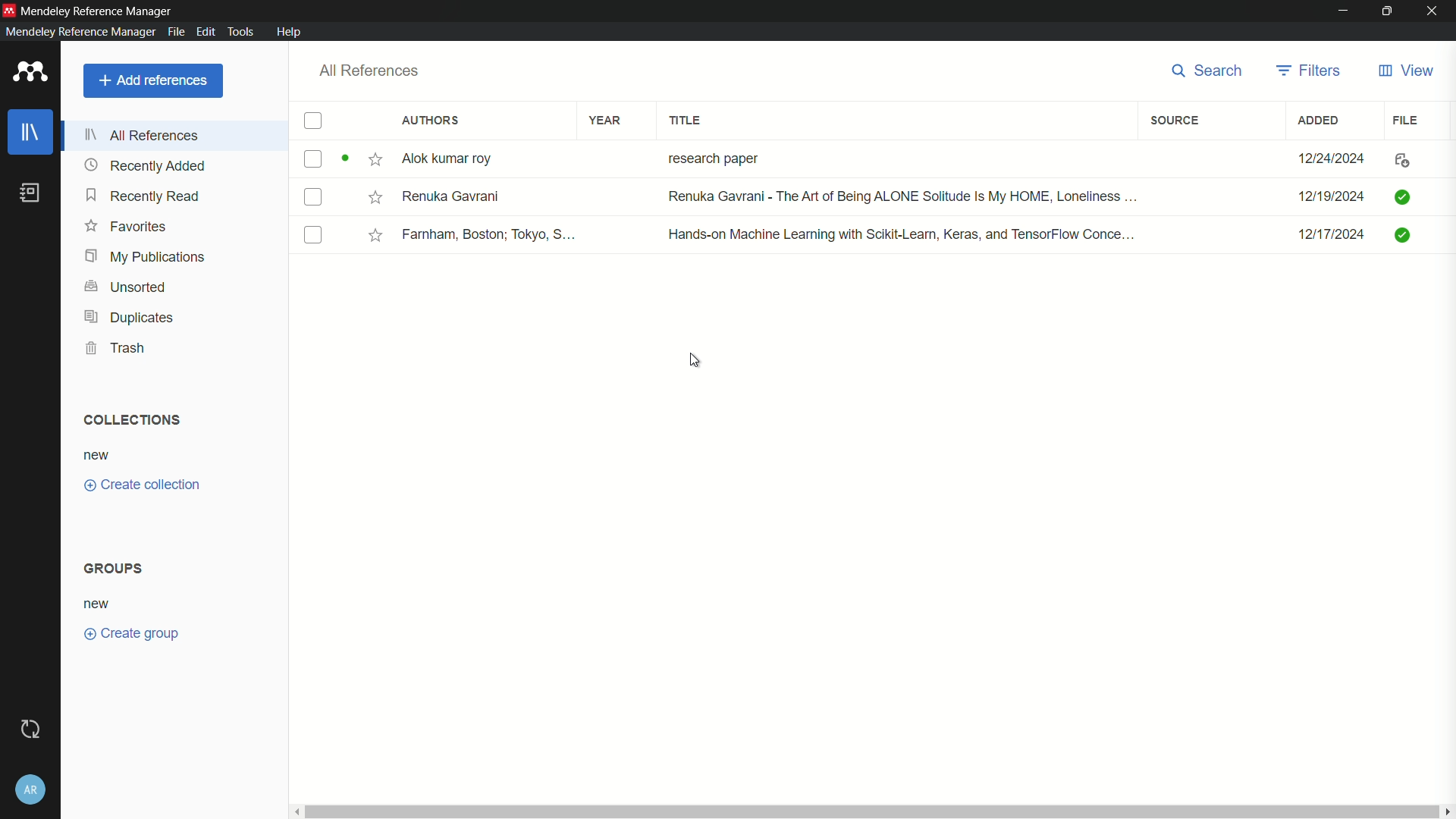  I want to click on filters, so click(1311, 71).